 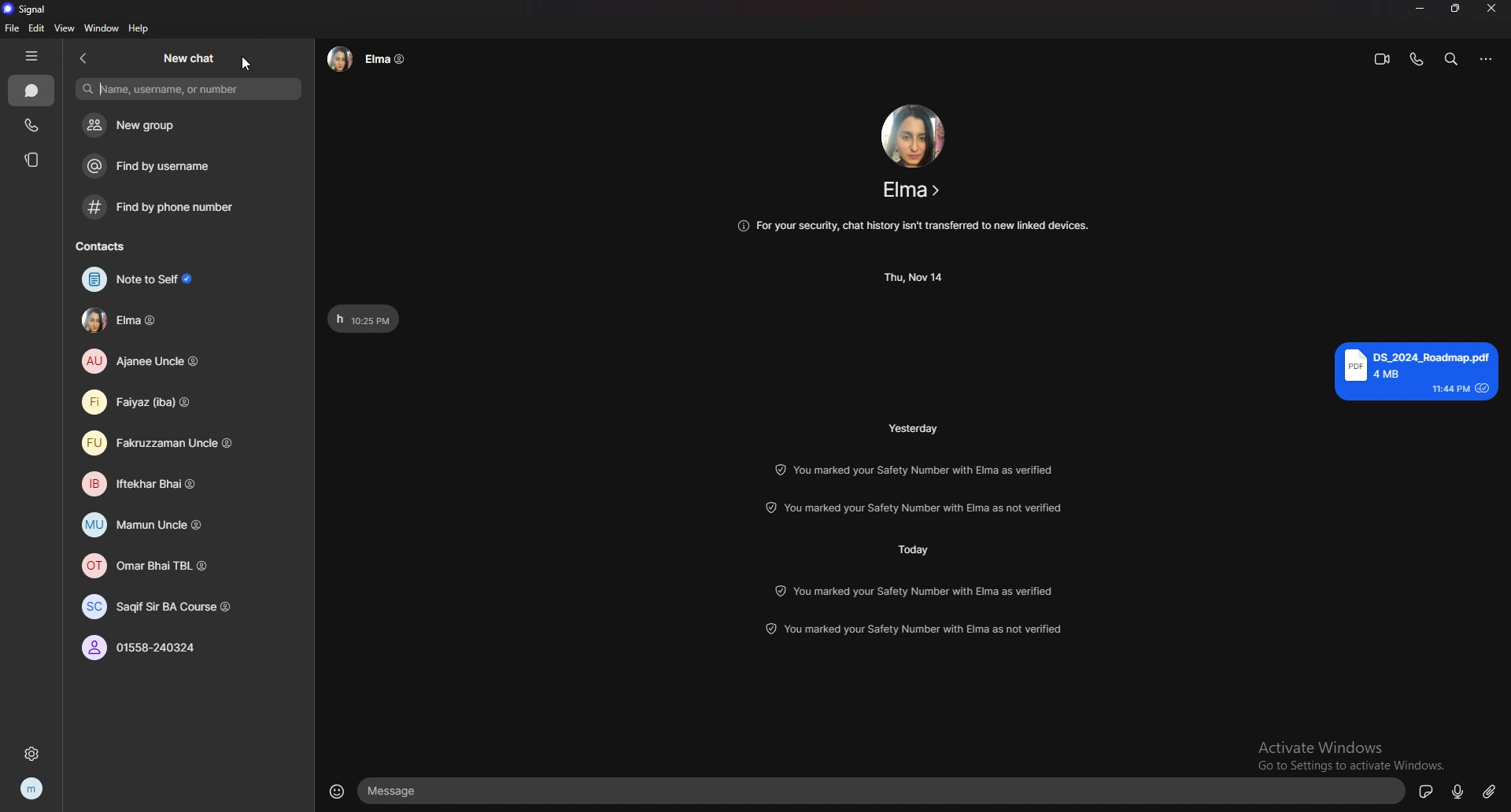 What do you see at coordinates (109, 246) in the screenshot?
I see `contacts` at bounding box center [109, 246].